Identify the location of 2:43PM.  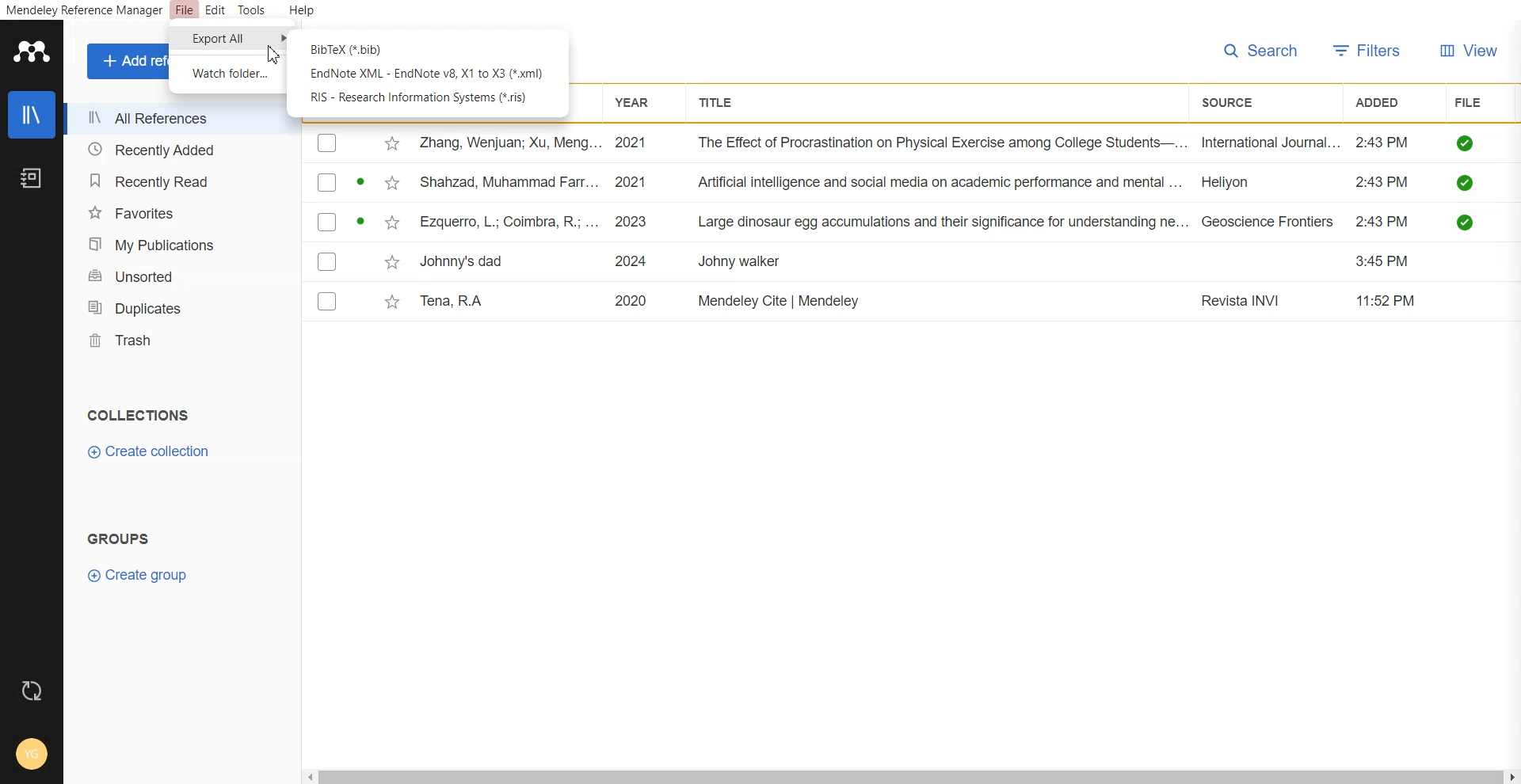
(1382, 182).